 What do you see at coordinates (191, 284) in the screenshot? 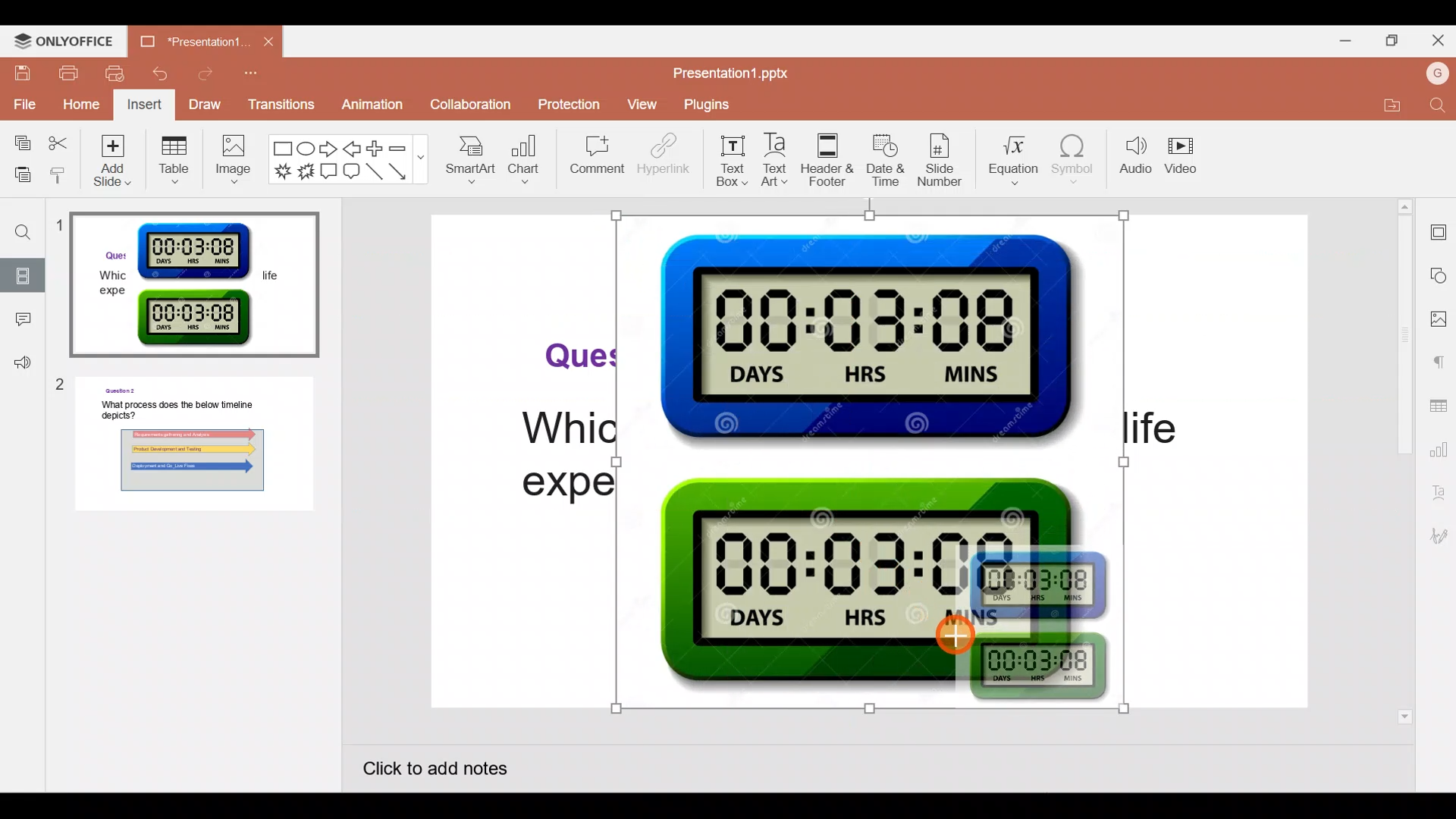
I see `Slide 1 preview` at bounding box center [191, 284].